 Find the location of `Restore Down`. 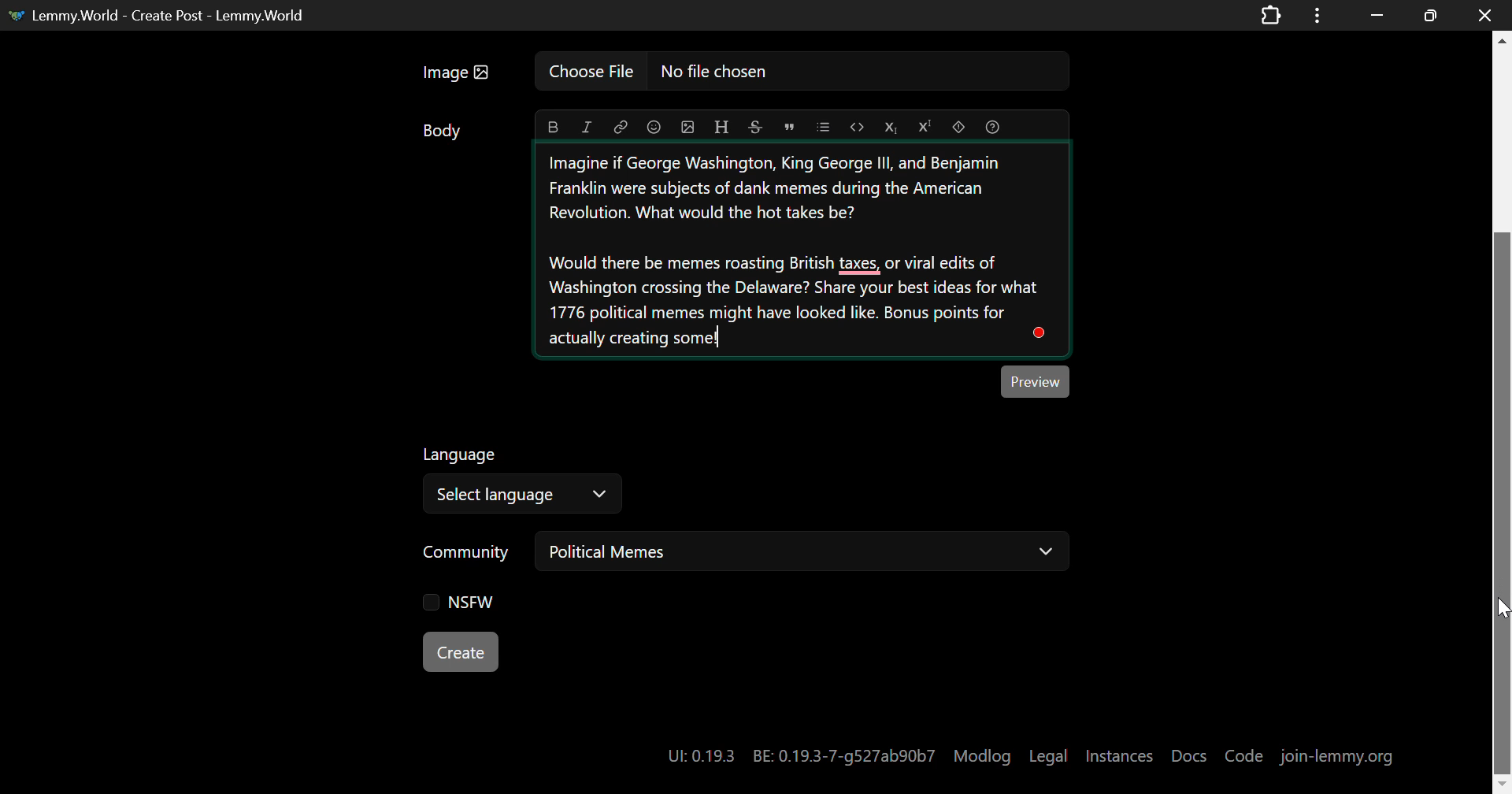

Restore Down is located at coordinates (1374, 15).